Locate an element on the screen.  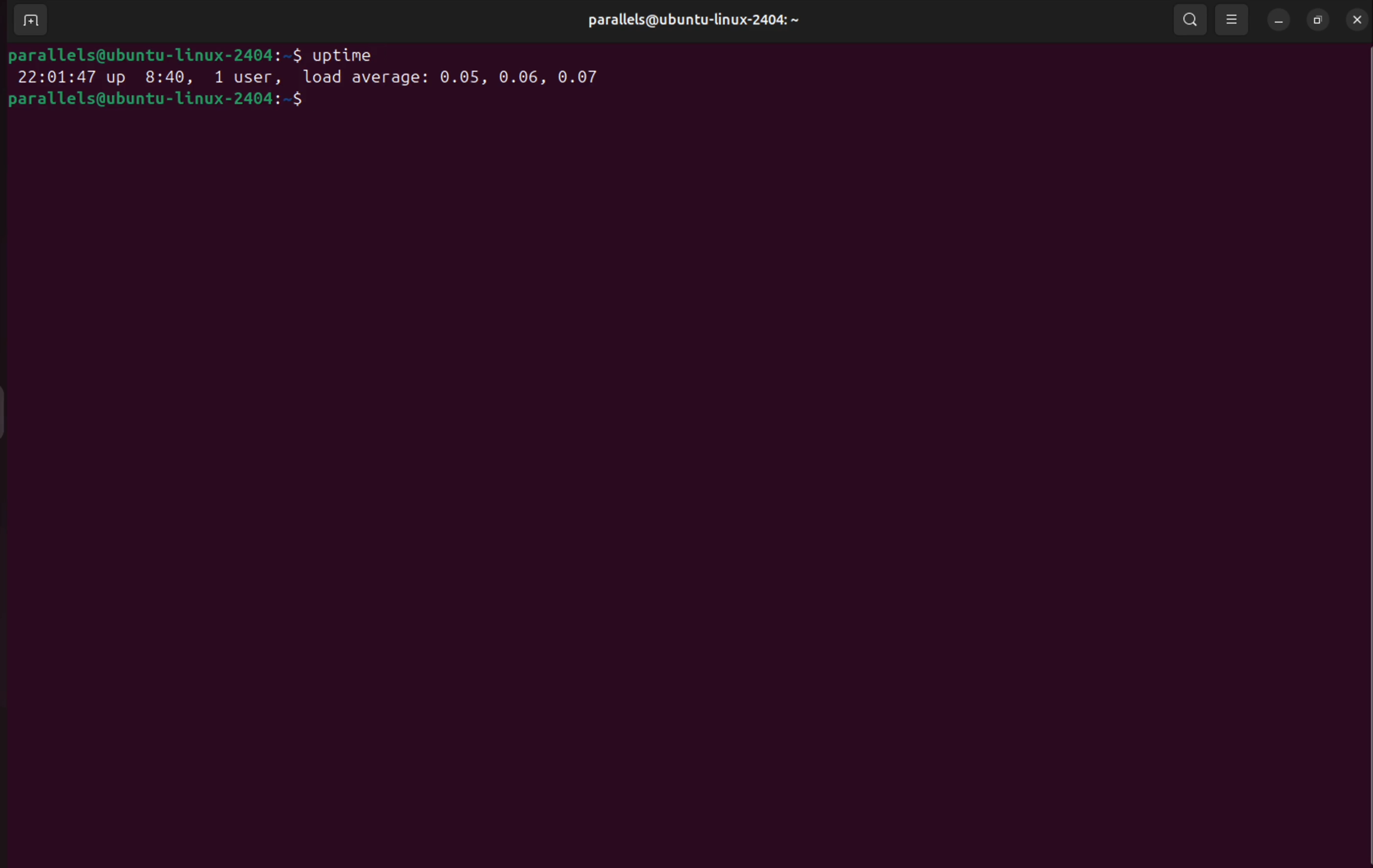
view options is located at coordinates (1233, 18).